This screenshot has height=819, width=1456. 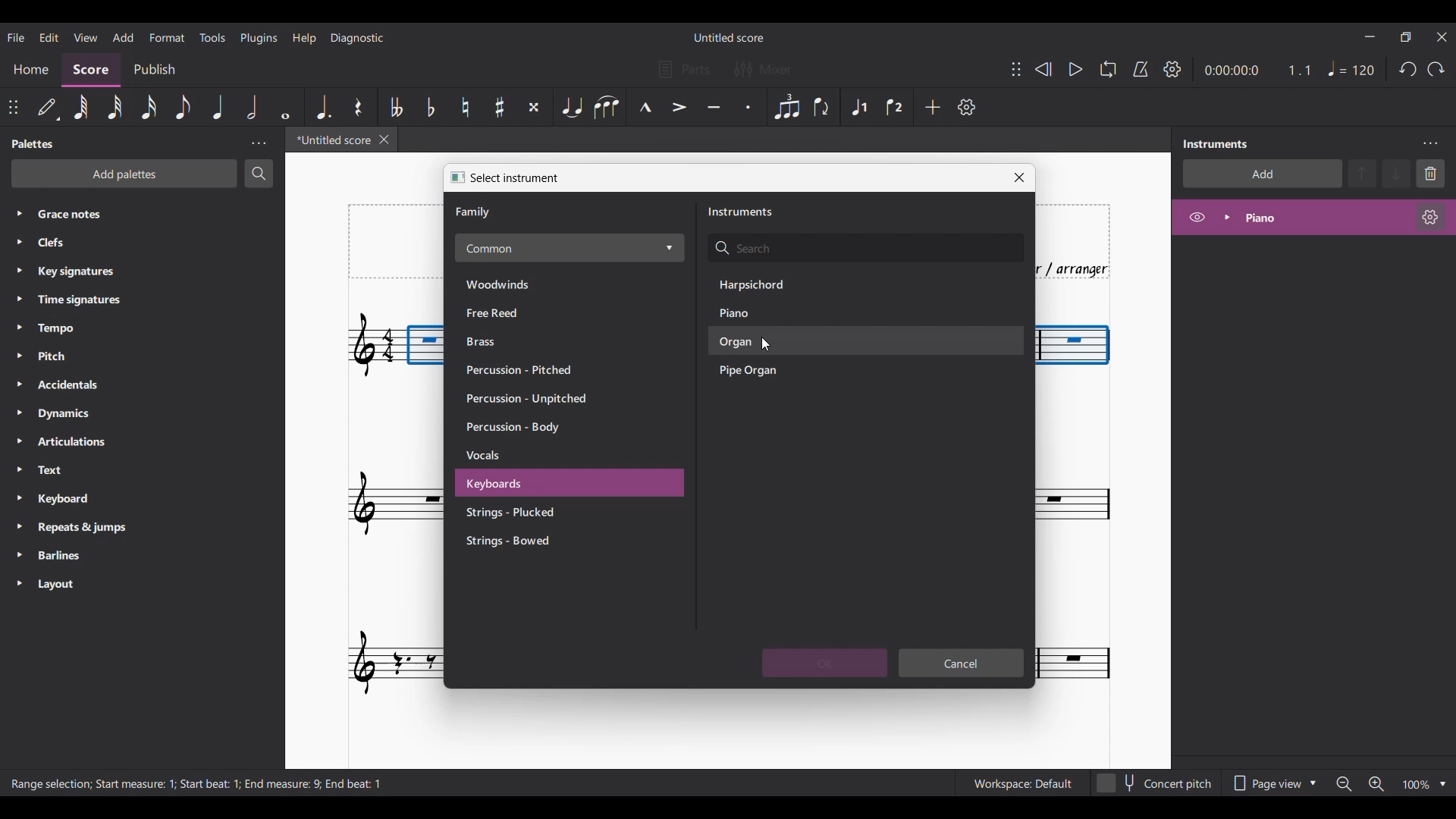 I want to click on Play, so click(x=1075, y=69).